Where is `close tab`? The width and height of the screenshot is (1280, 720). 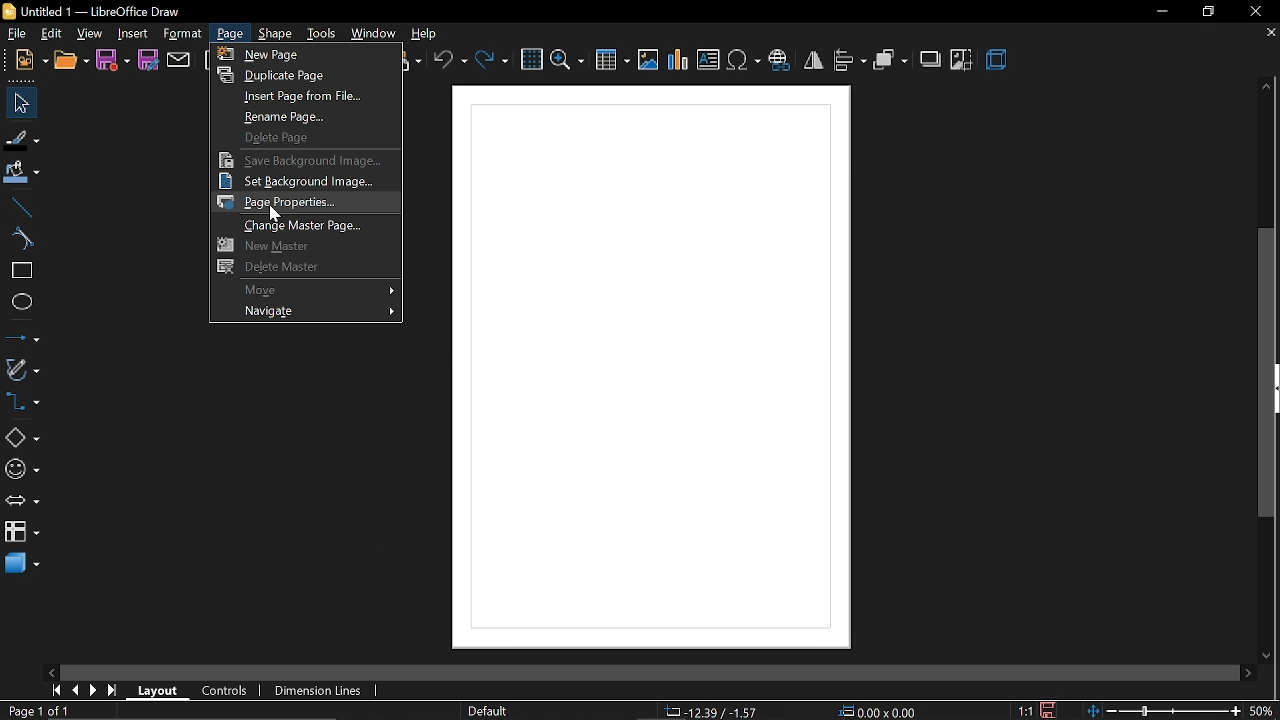 close tab is located at coordinates (1269, 32).